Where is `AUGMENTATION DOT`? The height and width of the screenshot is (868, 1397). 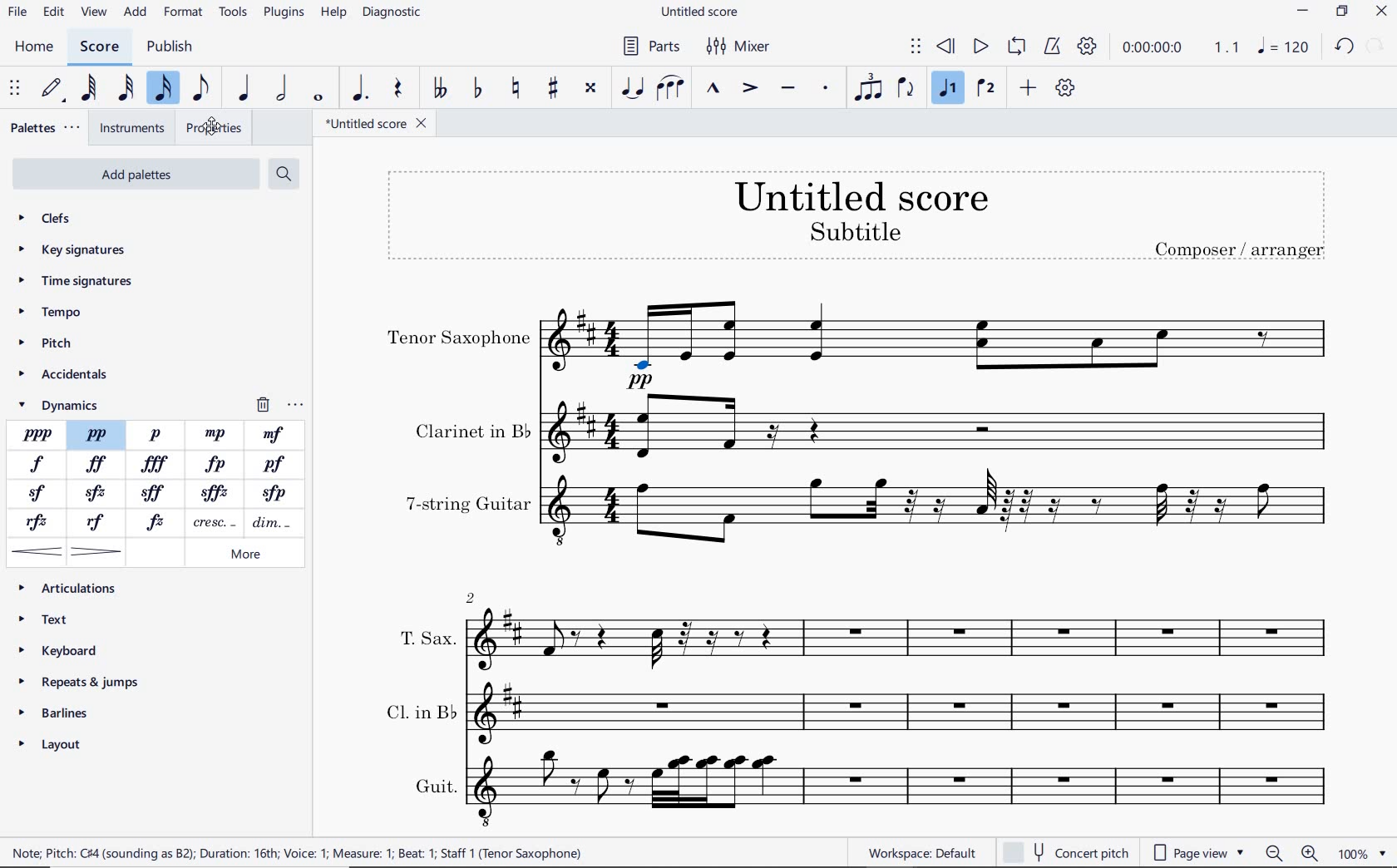
AUGMENTATION DOT is located at coordinates (362, 89).